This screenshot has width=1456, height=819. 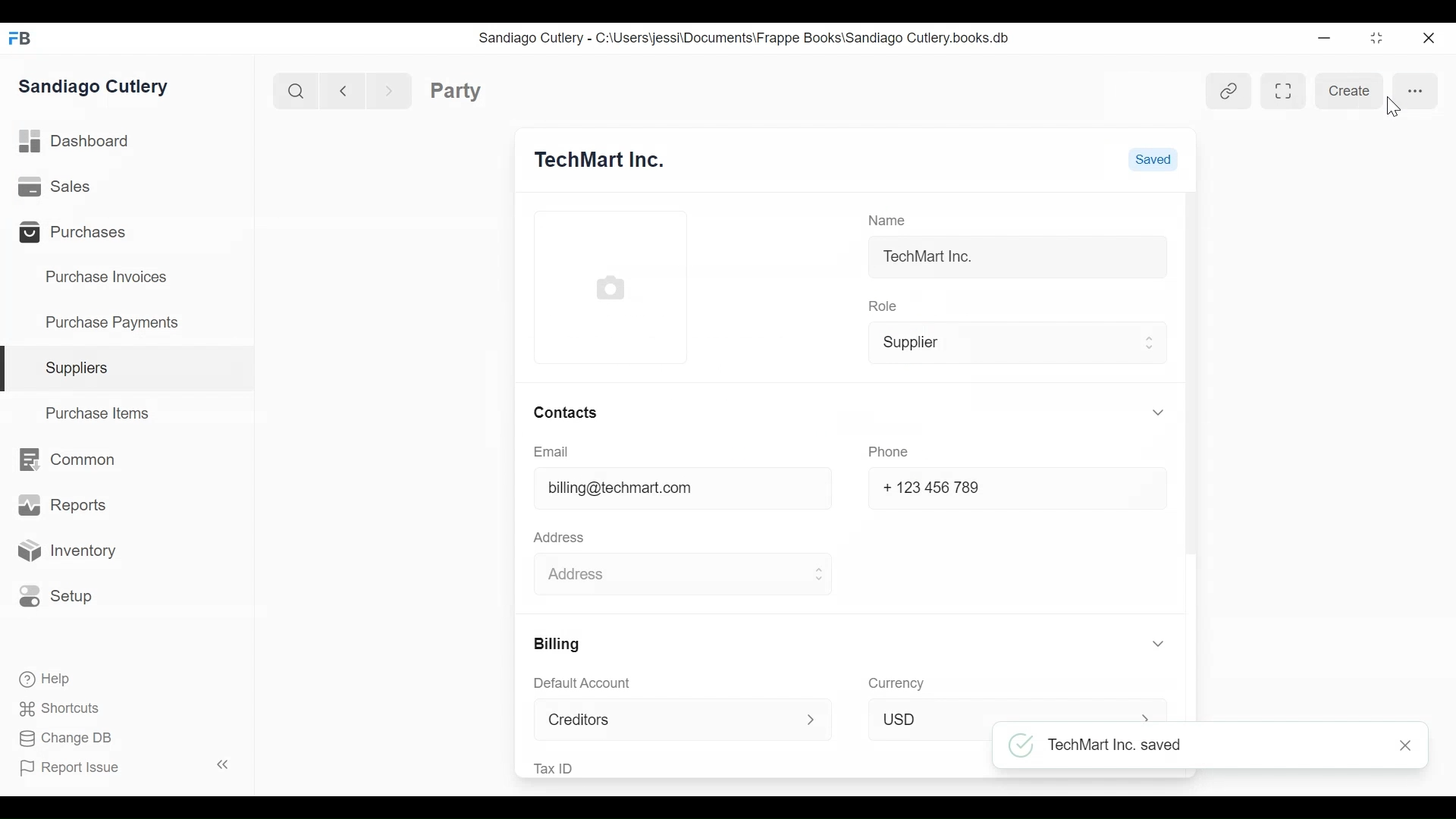 I want to click on Shortcuts., so click(x=61, y=709).